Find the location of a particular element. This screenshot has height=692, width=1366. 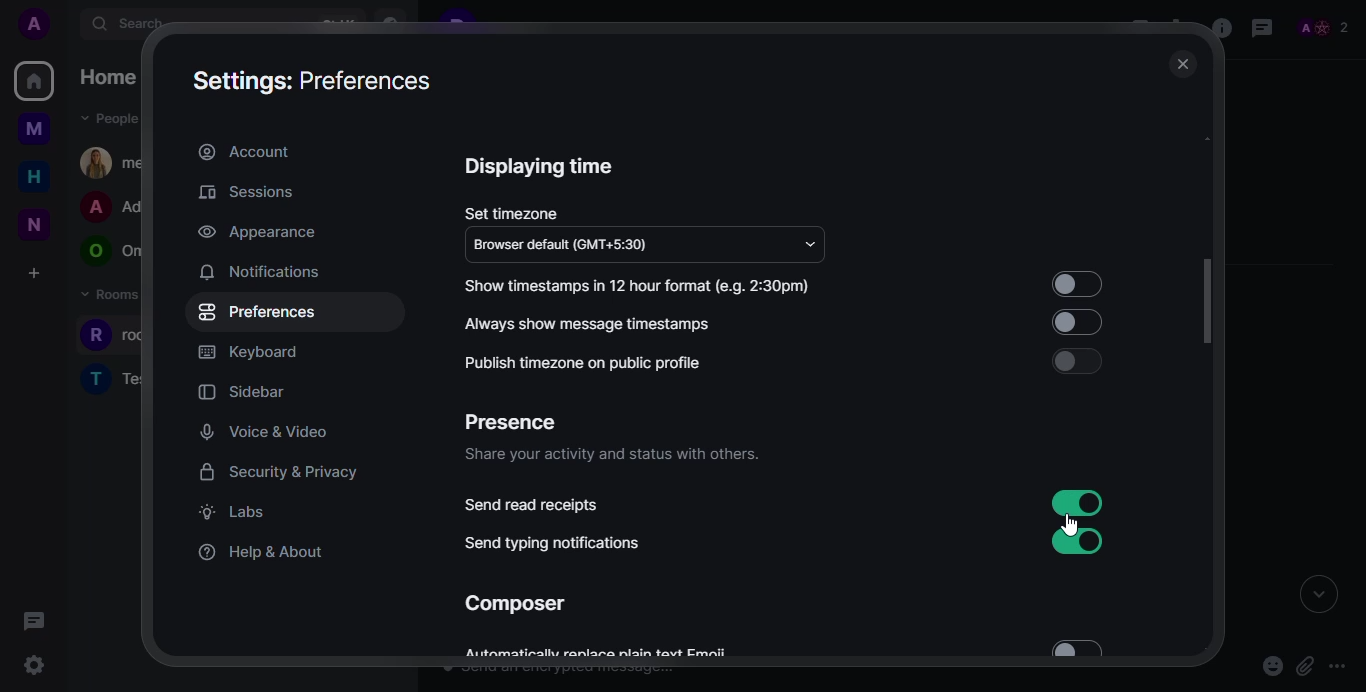

keyboard is located at coordinates (248, 352).